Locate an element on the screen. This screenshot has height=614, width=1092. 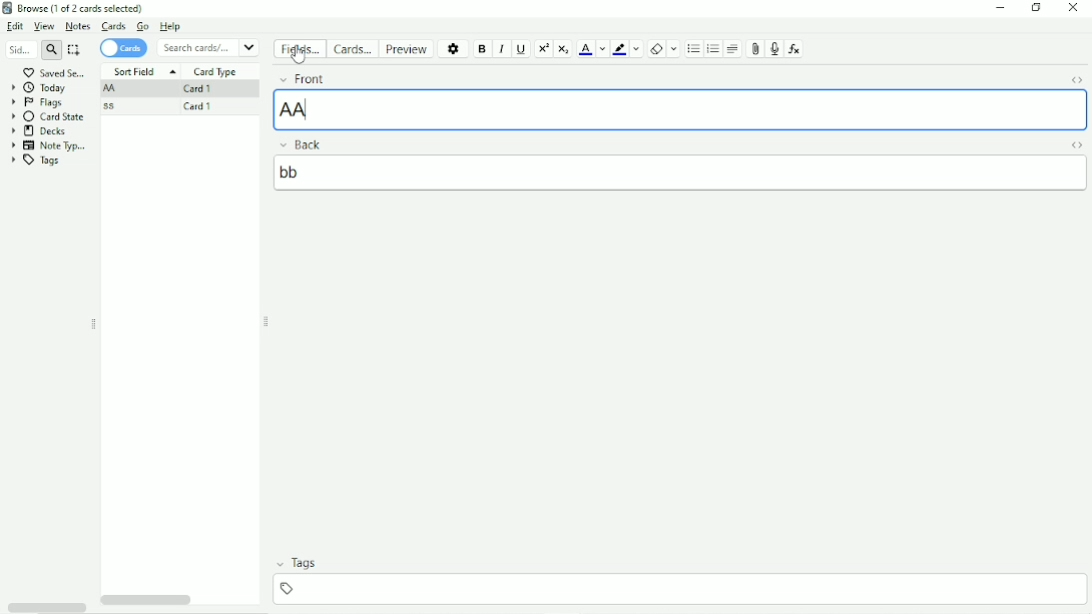
Change color is located at coordinates (636, 49).